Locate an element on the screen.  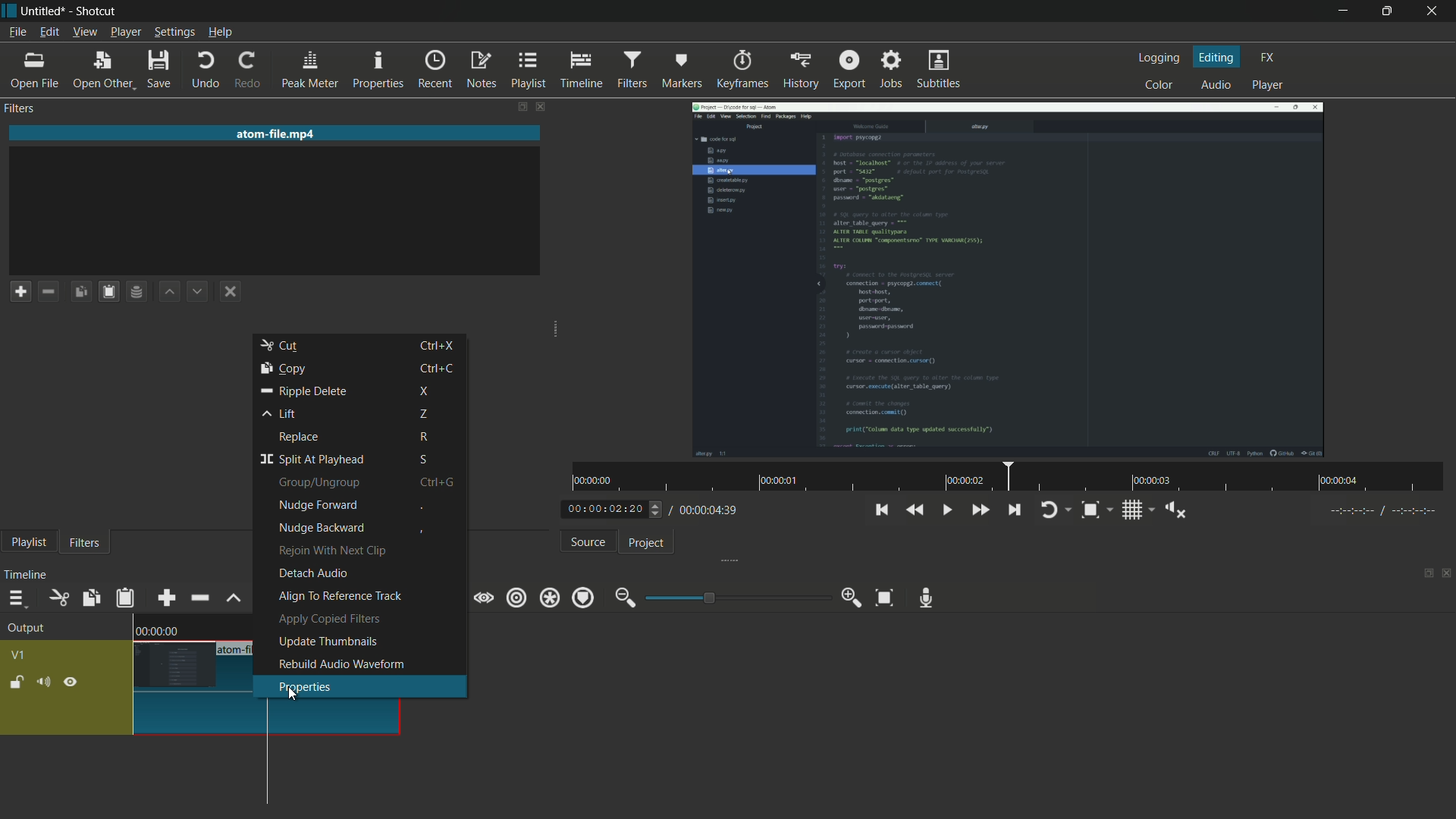
playlist is located at coordinates (527, 71).